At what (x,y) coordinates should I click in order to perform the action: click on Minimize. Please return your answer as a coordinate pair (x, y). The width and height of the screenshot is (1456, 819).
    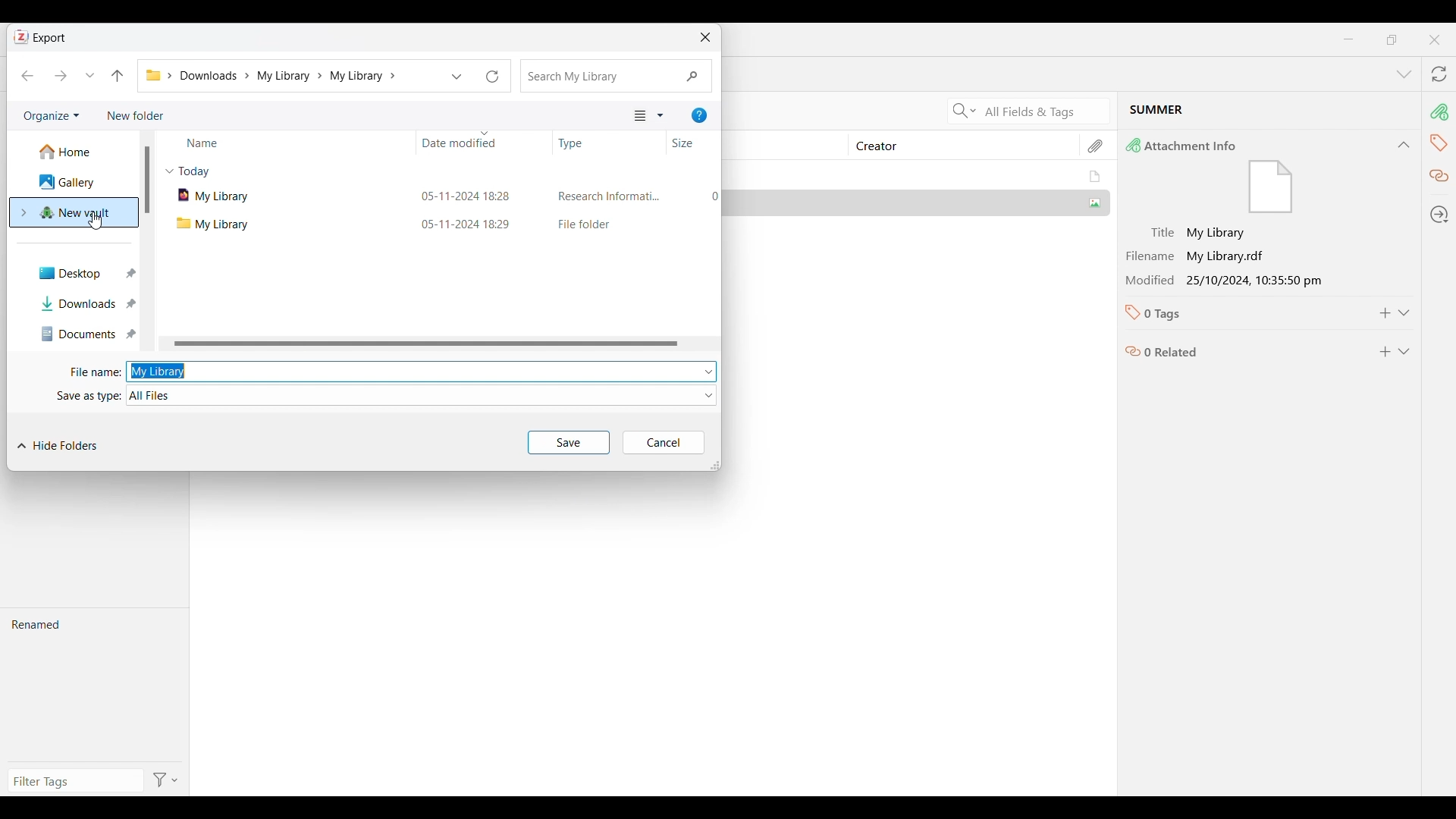
    Looking at the image, I should click on (1348, 39).